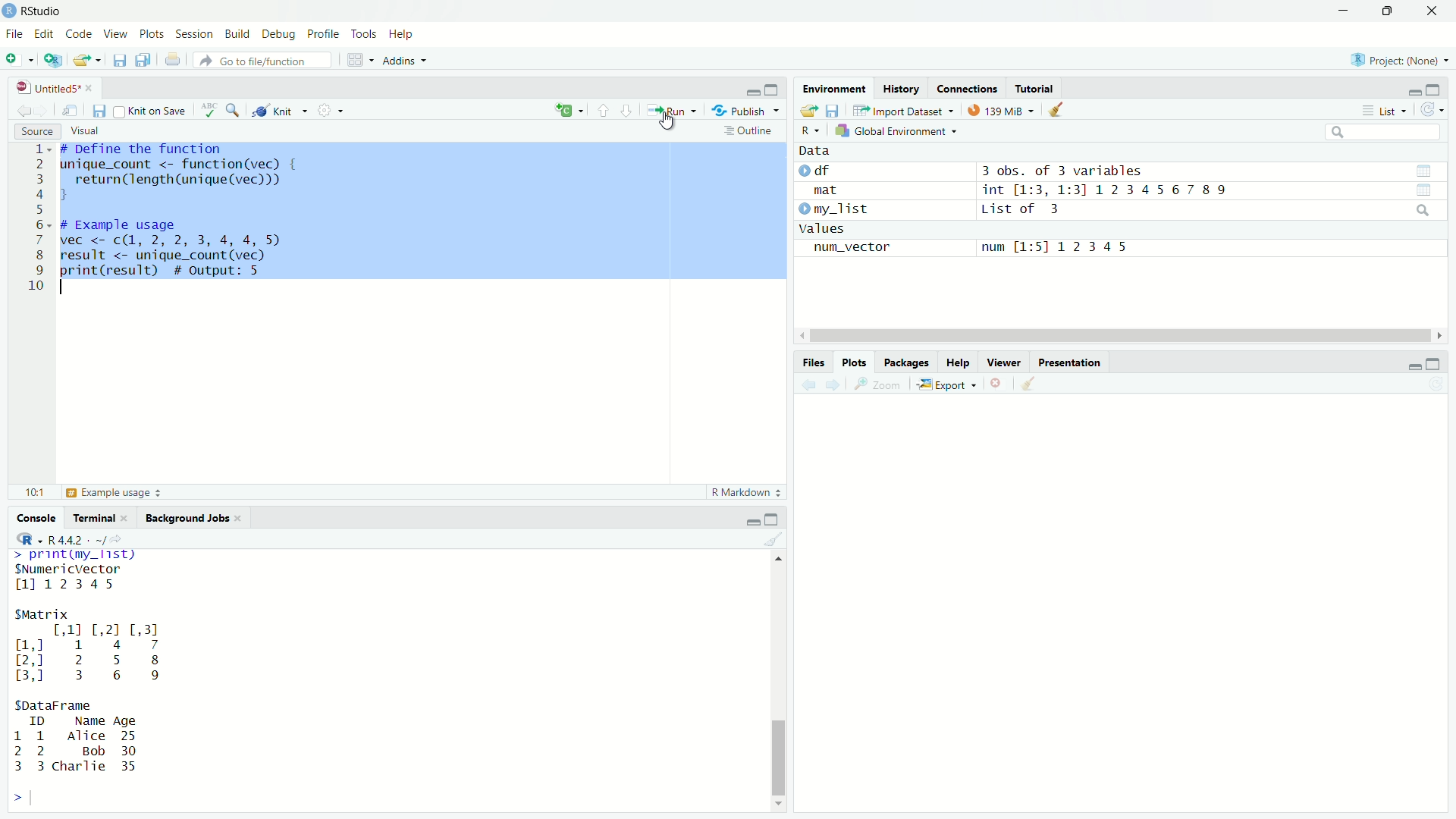 The width and height of the screenshot is (1456, 819). What do you see at coordinates (30, 539) in the screenshot?
I see `R dropdown` at bounding box center [30, 539].